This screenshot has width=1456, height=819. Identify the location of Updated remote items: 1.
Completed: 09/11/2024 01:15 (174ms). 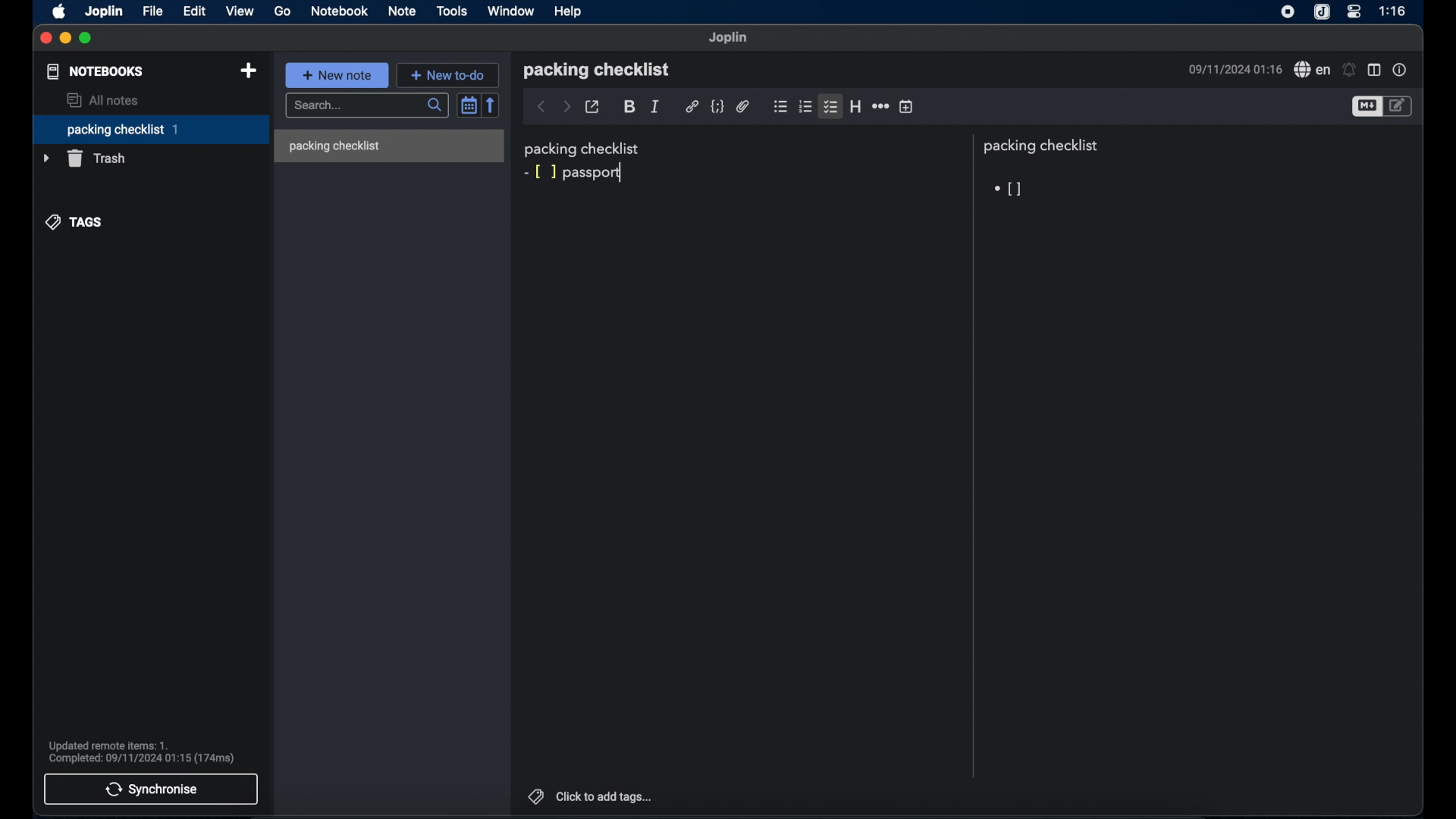
(146, 751).